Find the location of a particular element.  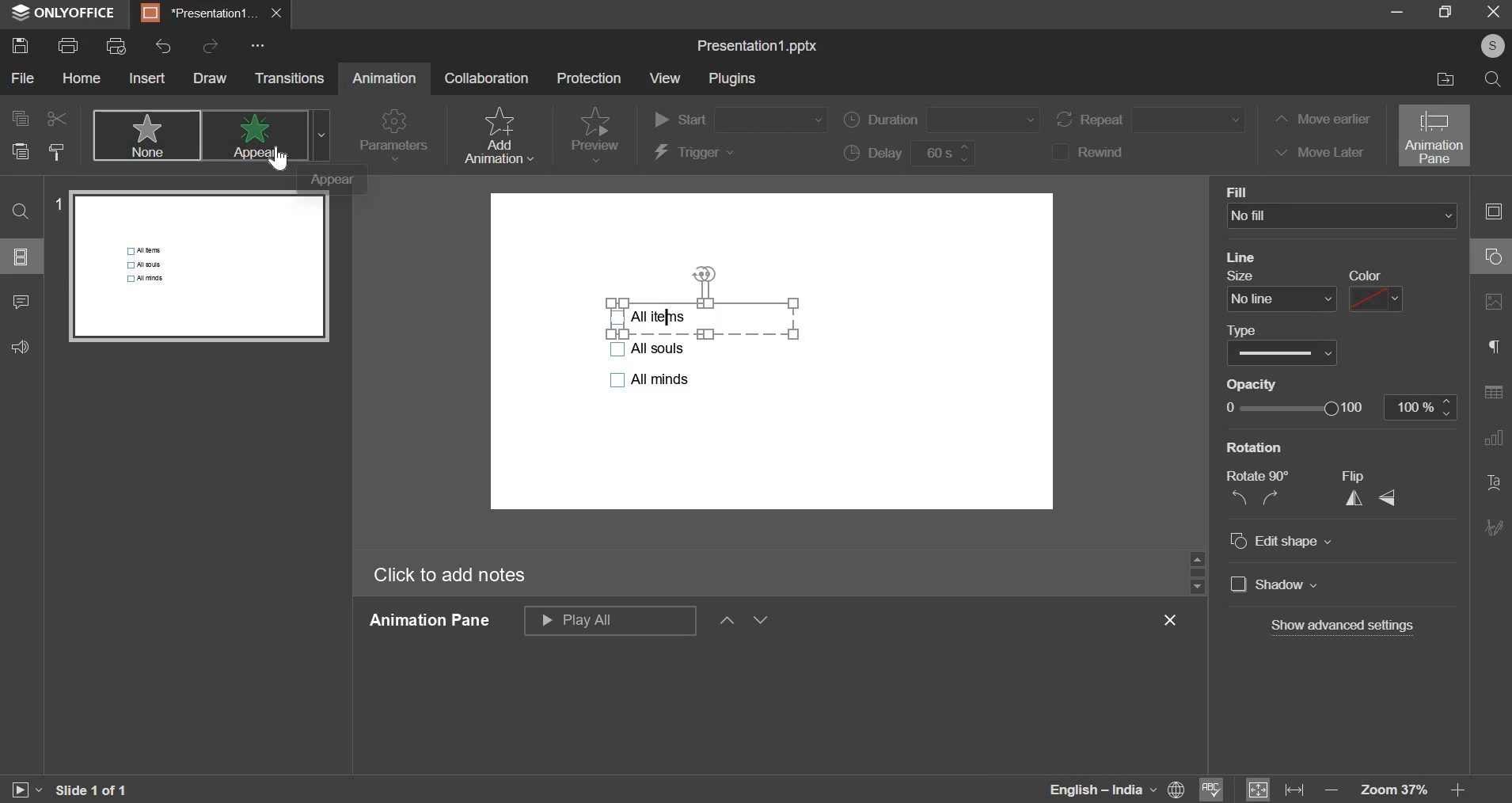

cursor is located at coordinates (279, 164).